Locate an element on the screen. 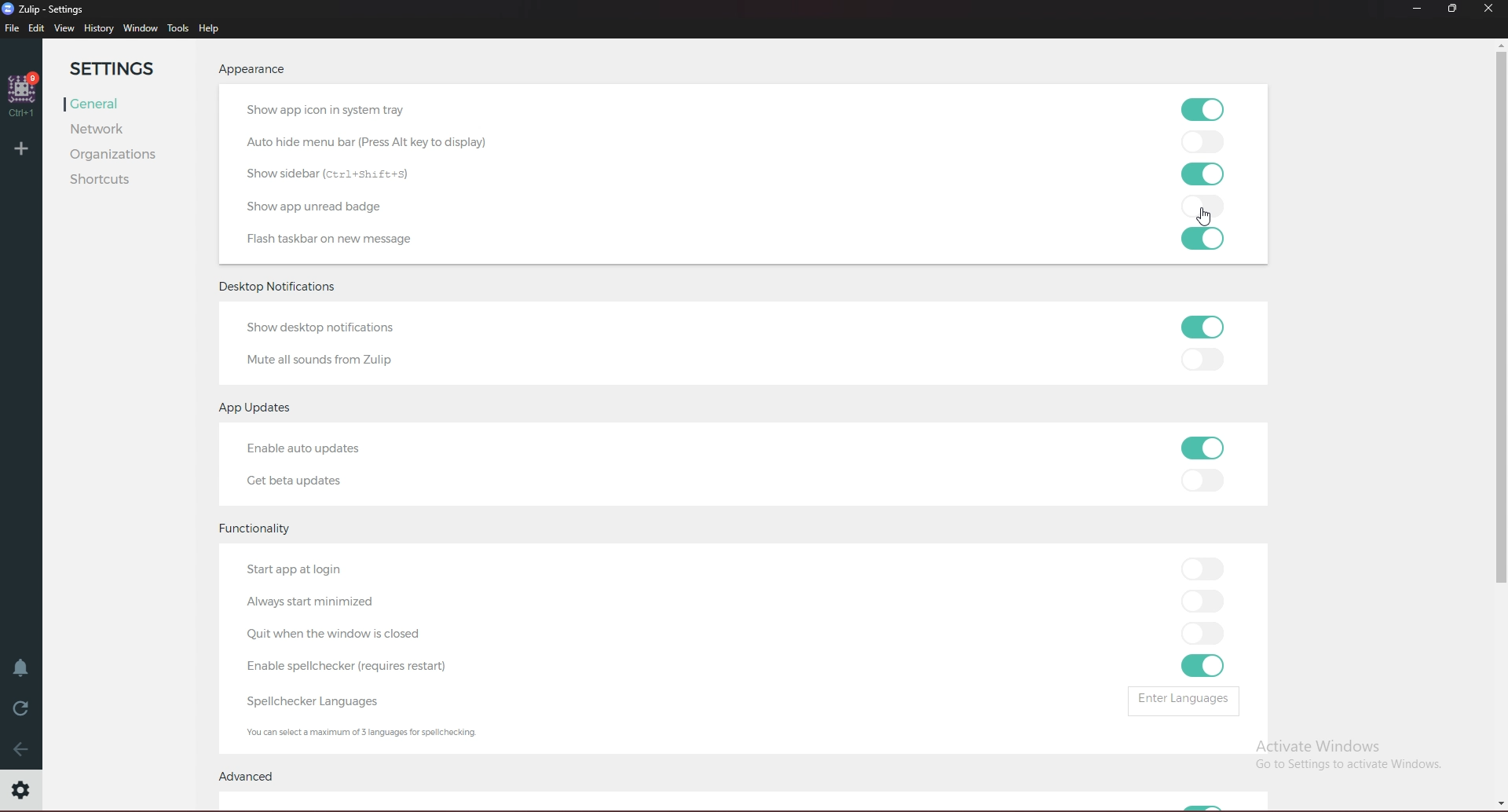 The image size is (1508, 812). Reload is located at coordinates (21, 709).